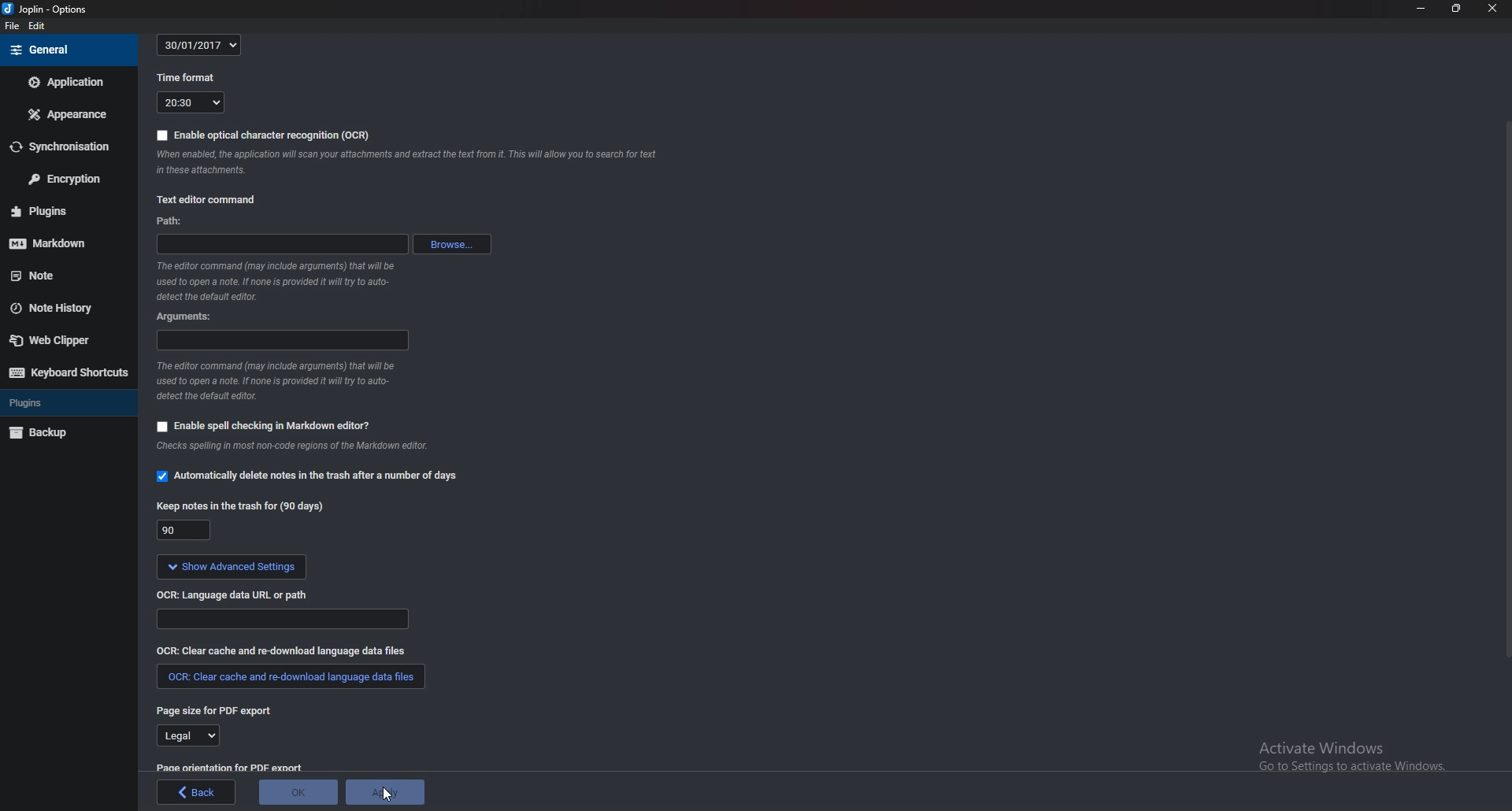 The height and width of the screenshot is (811, 1512). I want to click on 20:30, so click(190, 102).